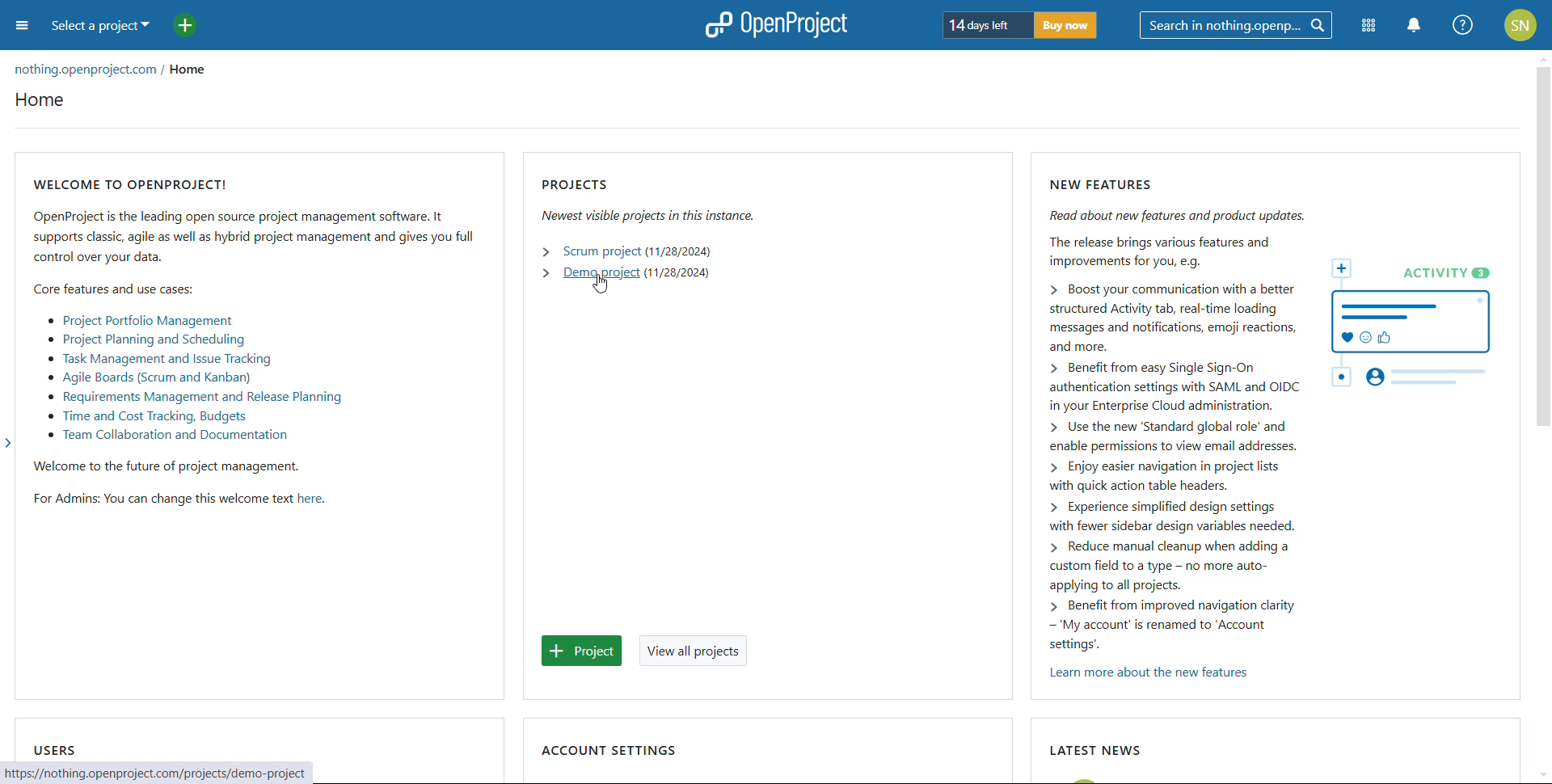 This screenshot has width=1552, height=784. I want to click on account, so click(1521, 24).